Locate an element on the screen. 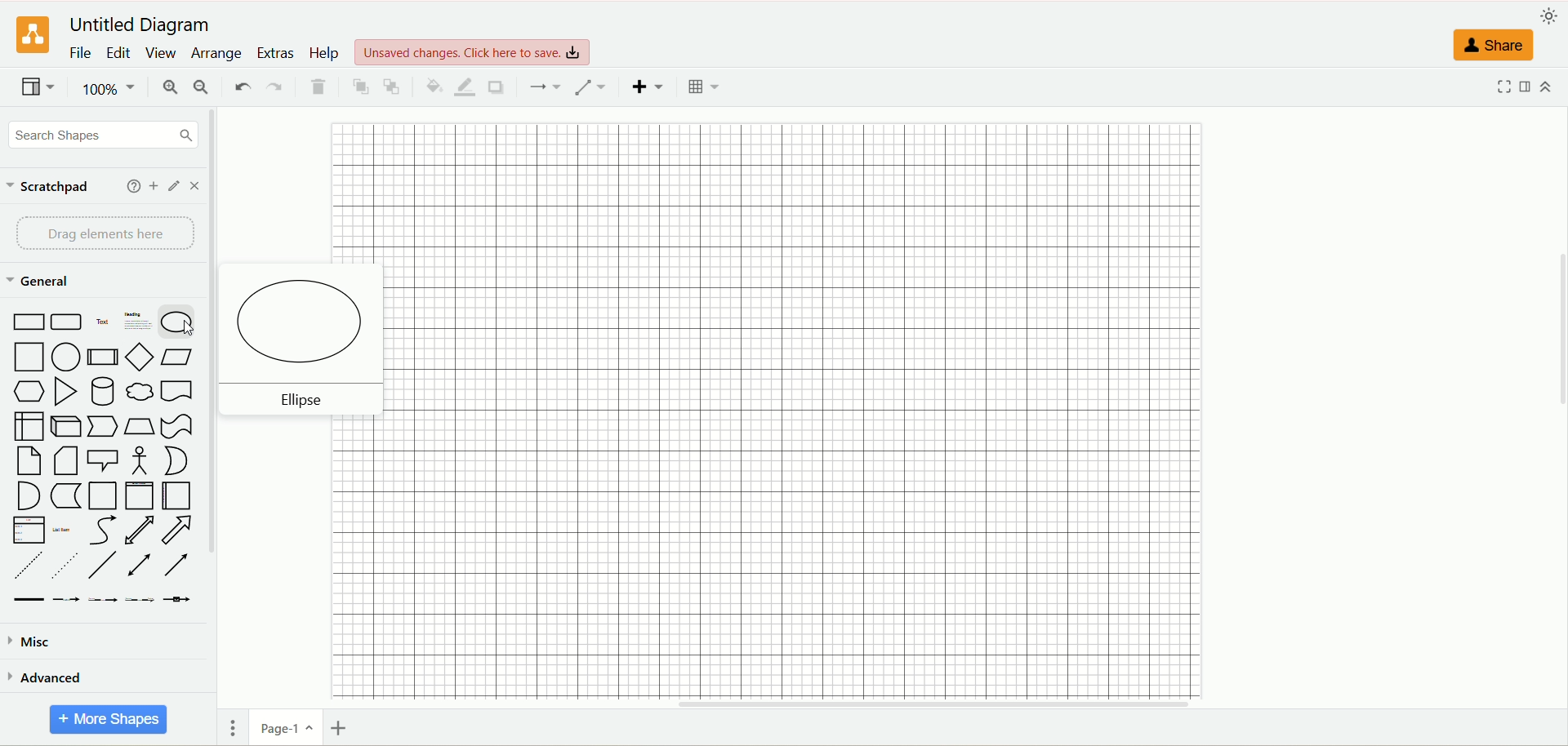  logo is located at coordinates (28, 36).